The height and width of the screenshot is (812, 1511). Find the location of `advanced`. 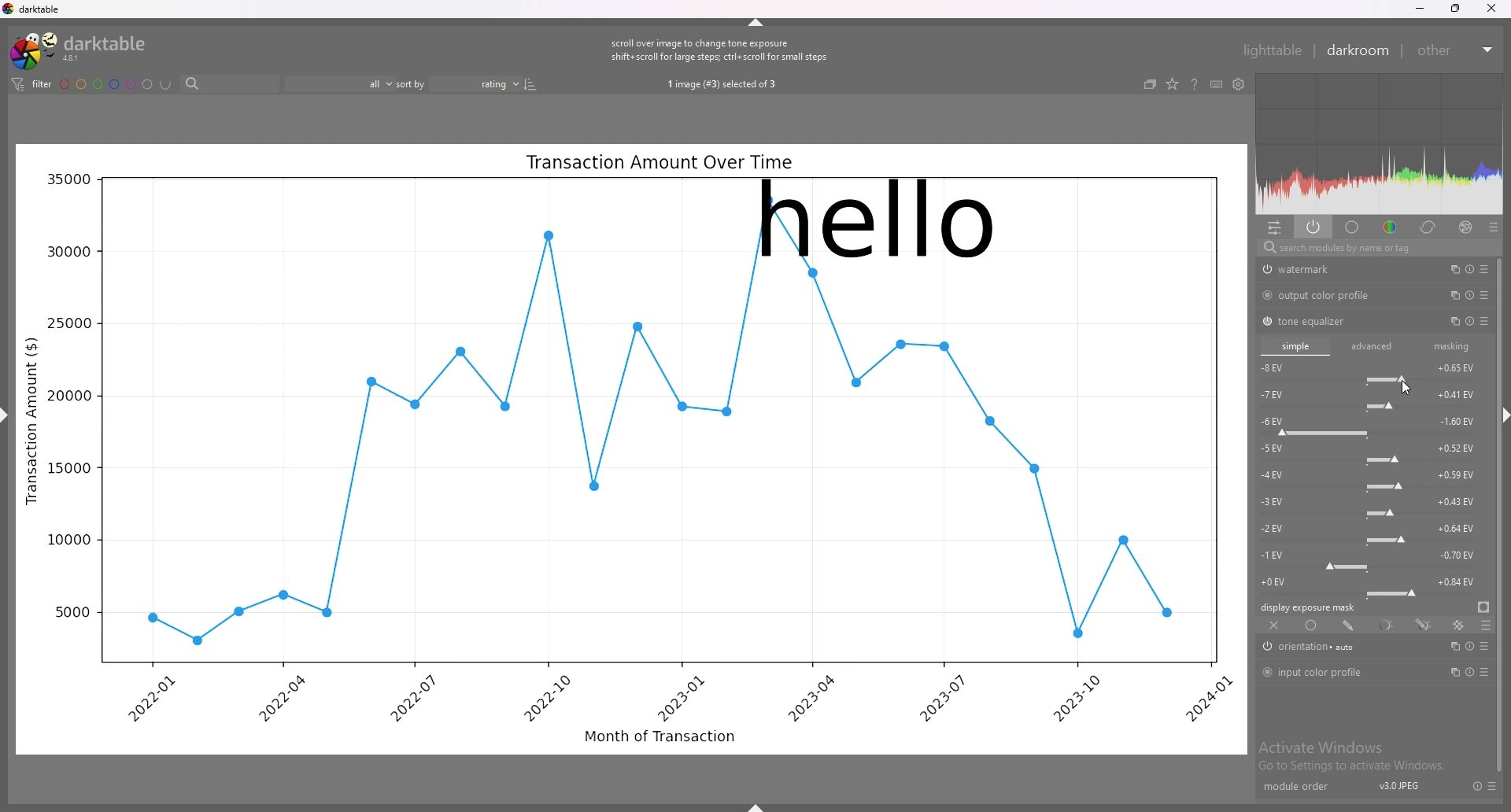

advanced is located at coordinates (1372, 346).